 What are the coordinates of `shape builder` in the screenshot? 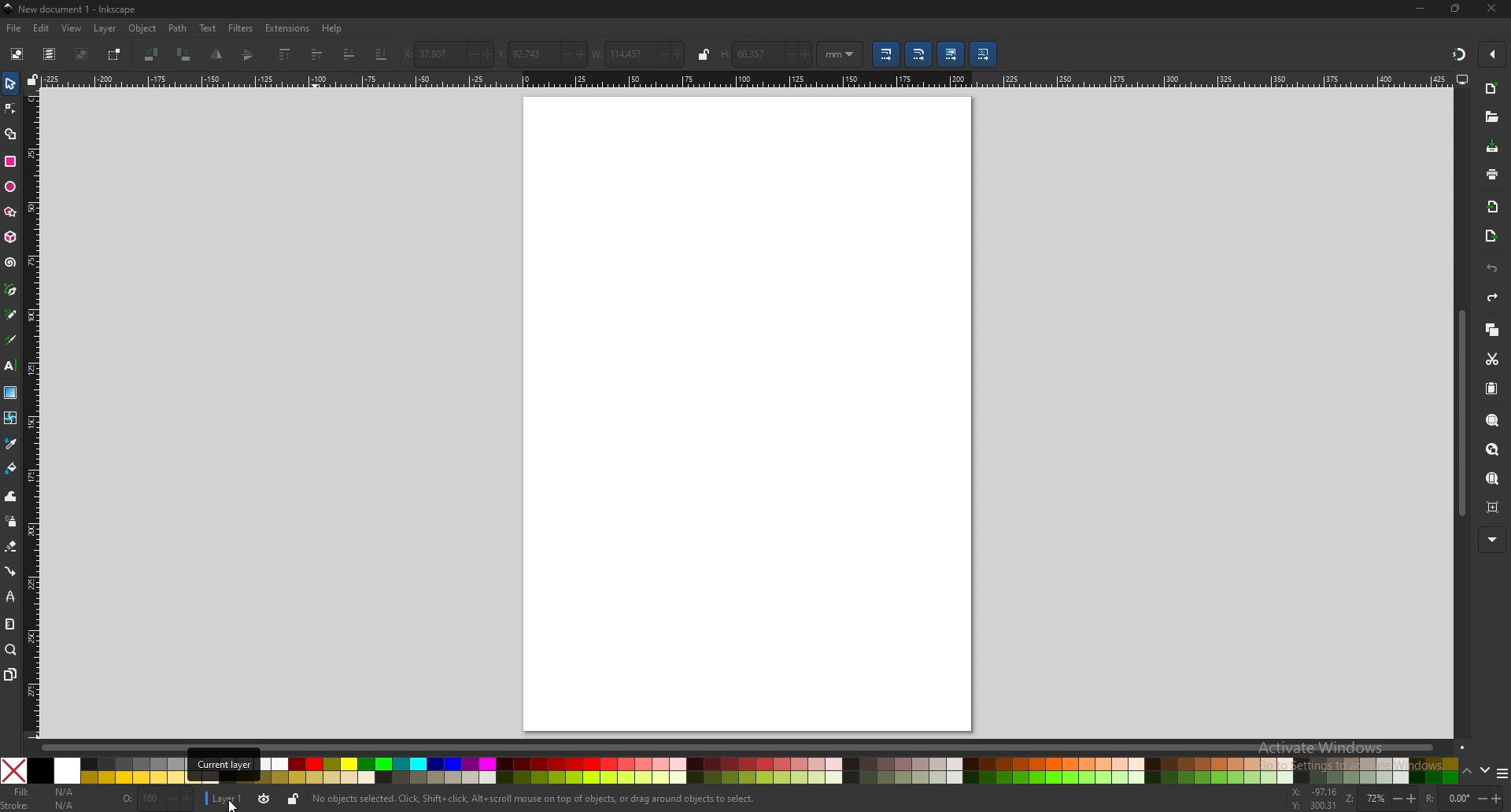 It's located at (9, 135).